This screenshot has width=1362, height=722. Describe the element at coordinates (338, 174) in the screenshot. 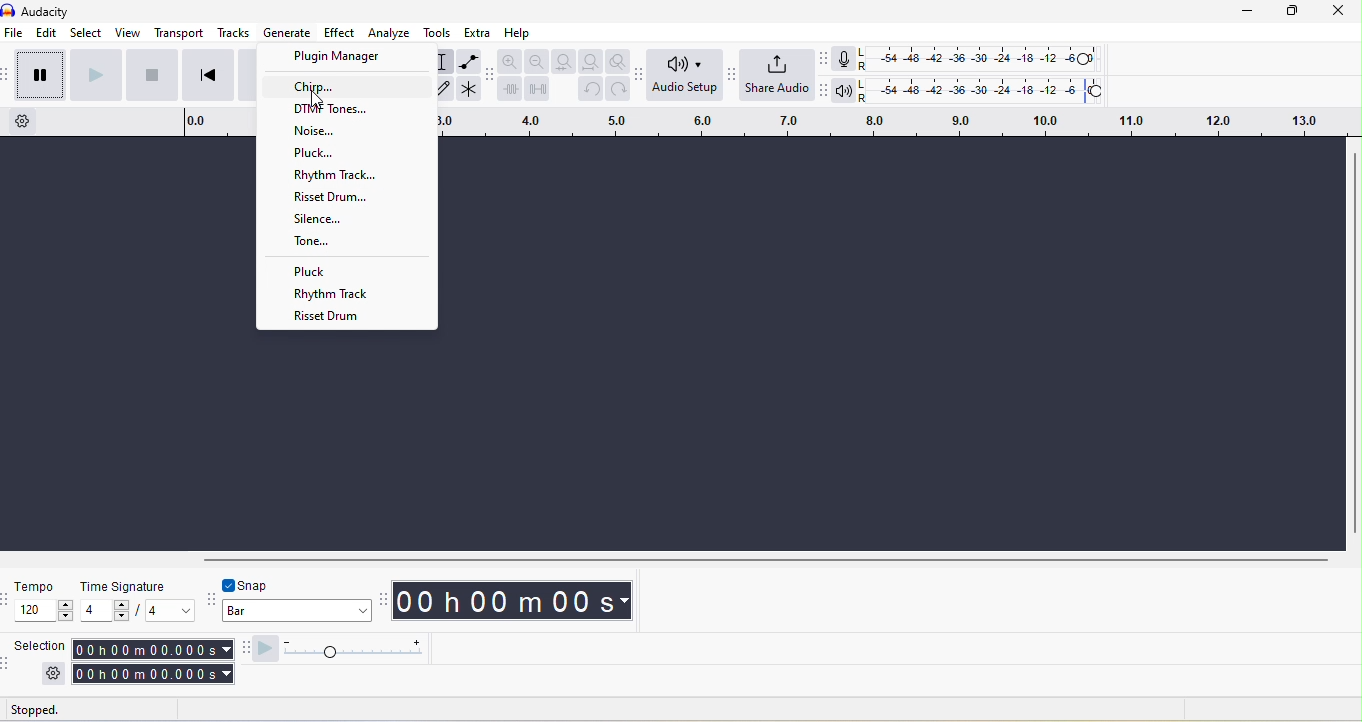

I see `rhythm track` at that location.